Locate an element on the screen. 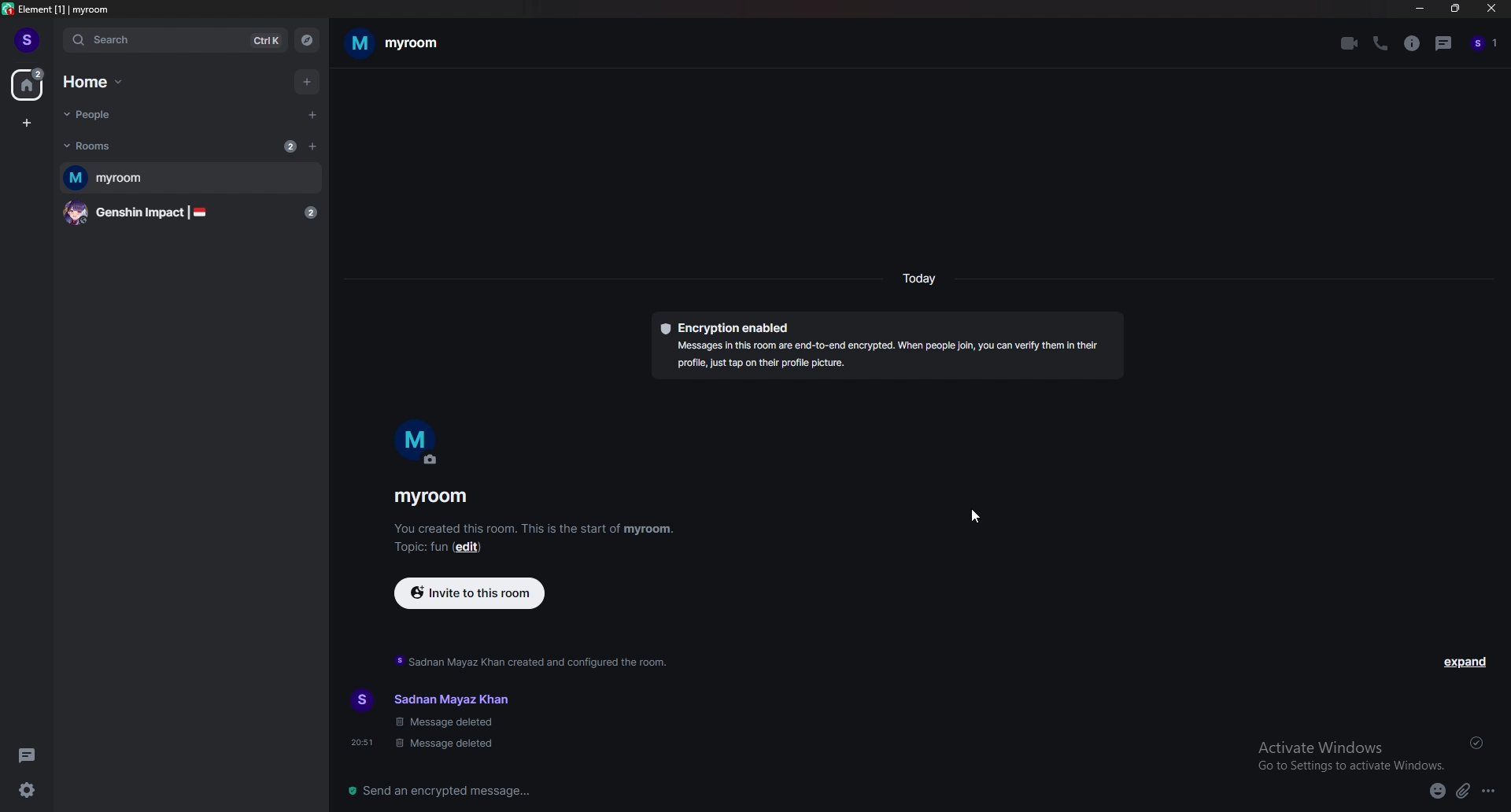 This screenshot has width=1511, height=812. expand is located at coordinates (1465, 659).